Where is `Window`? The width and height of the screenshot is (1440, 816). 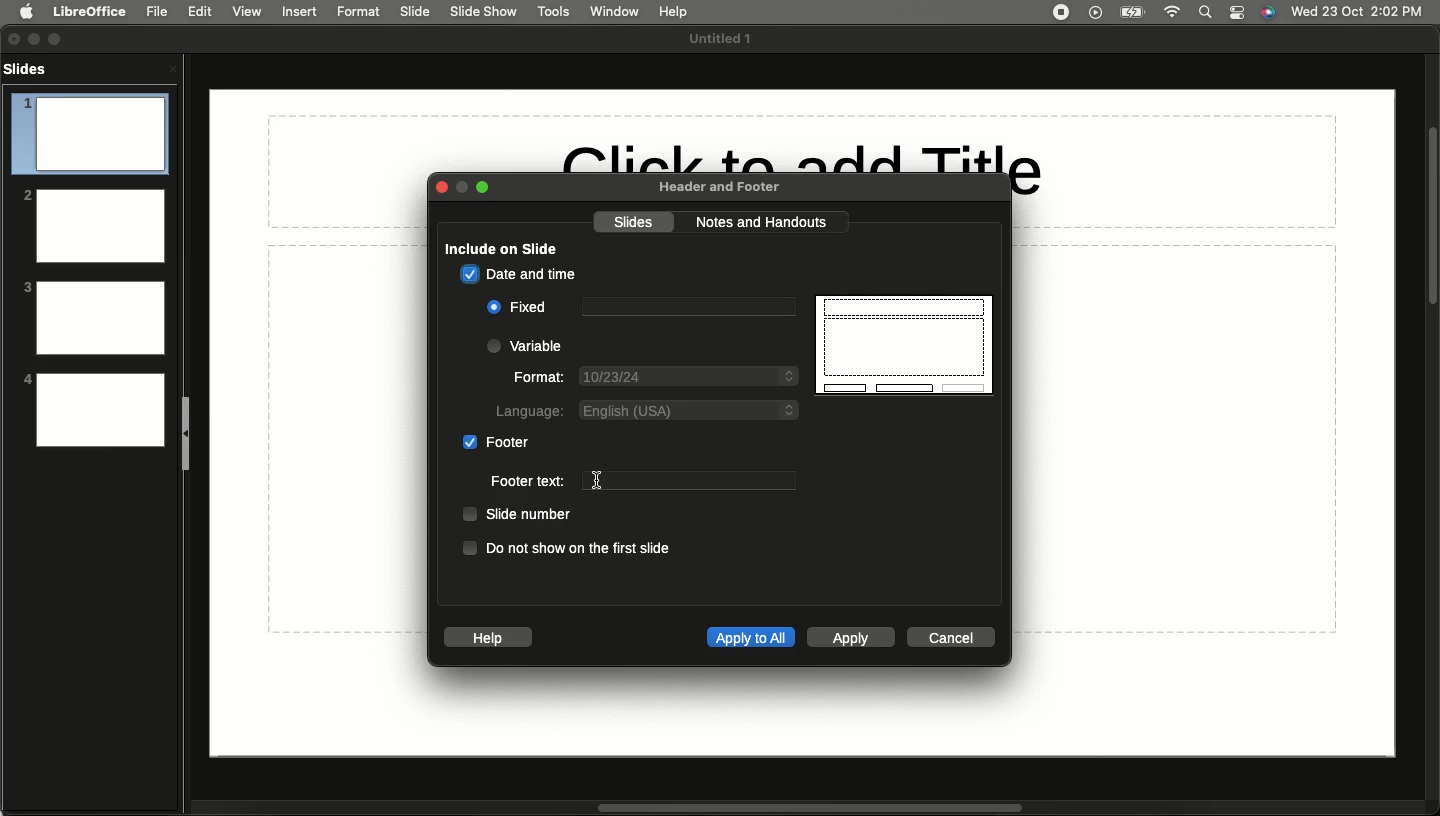 Window is located at coordinates (611, 11).